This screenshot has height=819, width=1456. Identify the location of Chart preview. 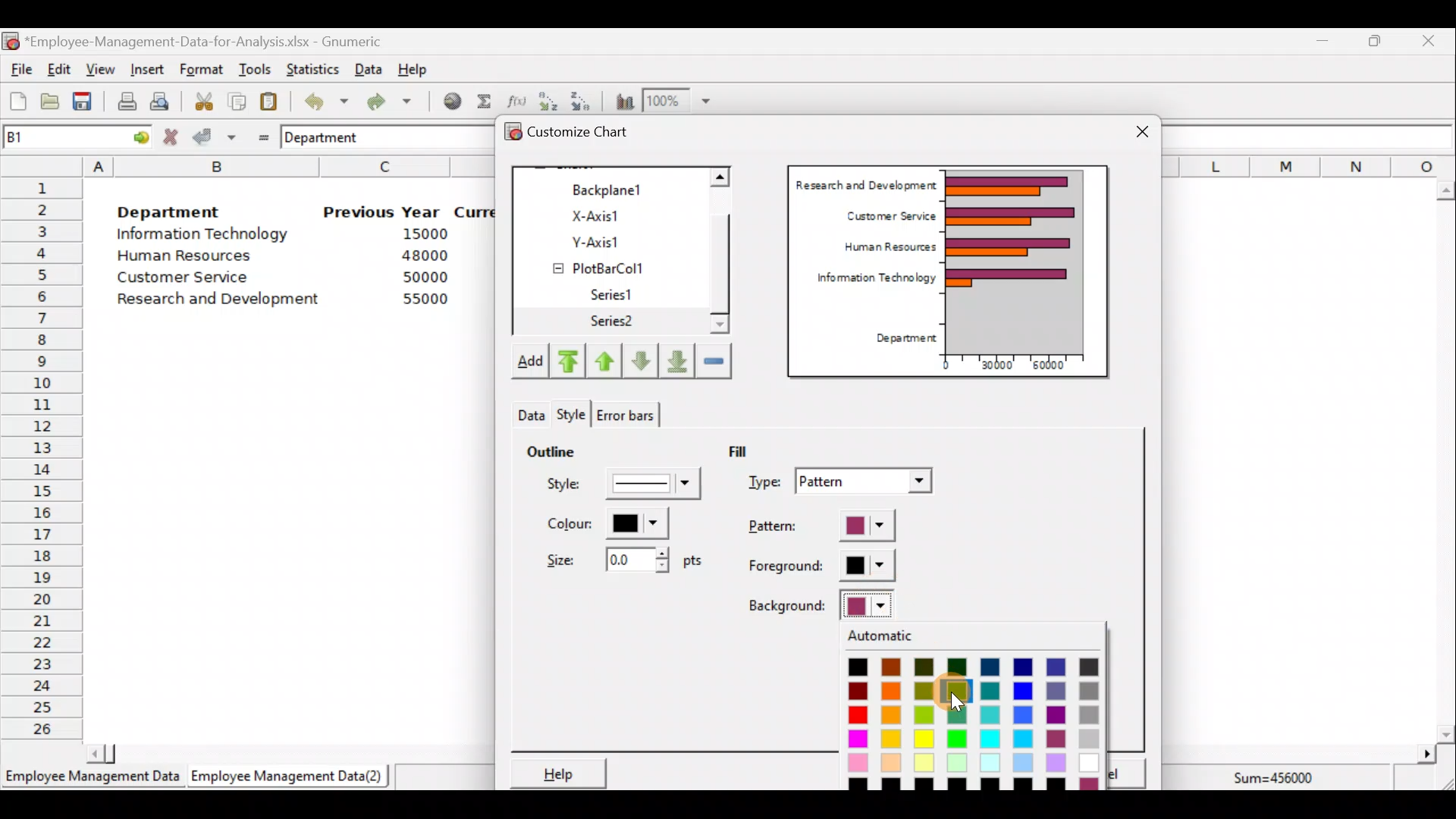
(1025, 261).